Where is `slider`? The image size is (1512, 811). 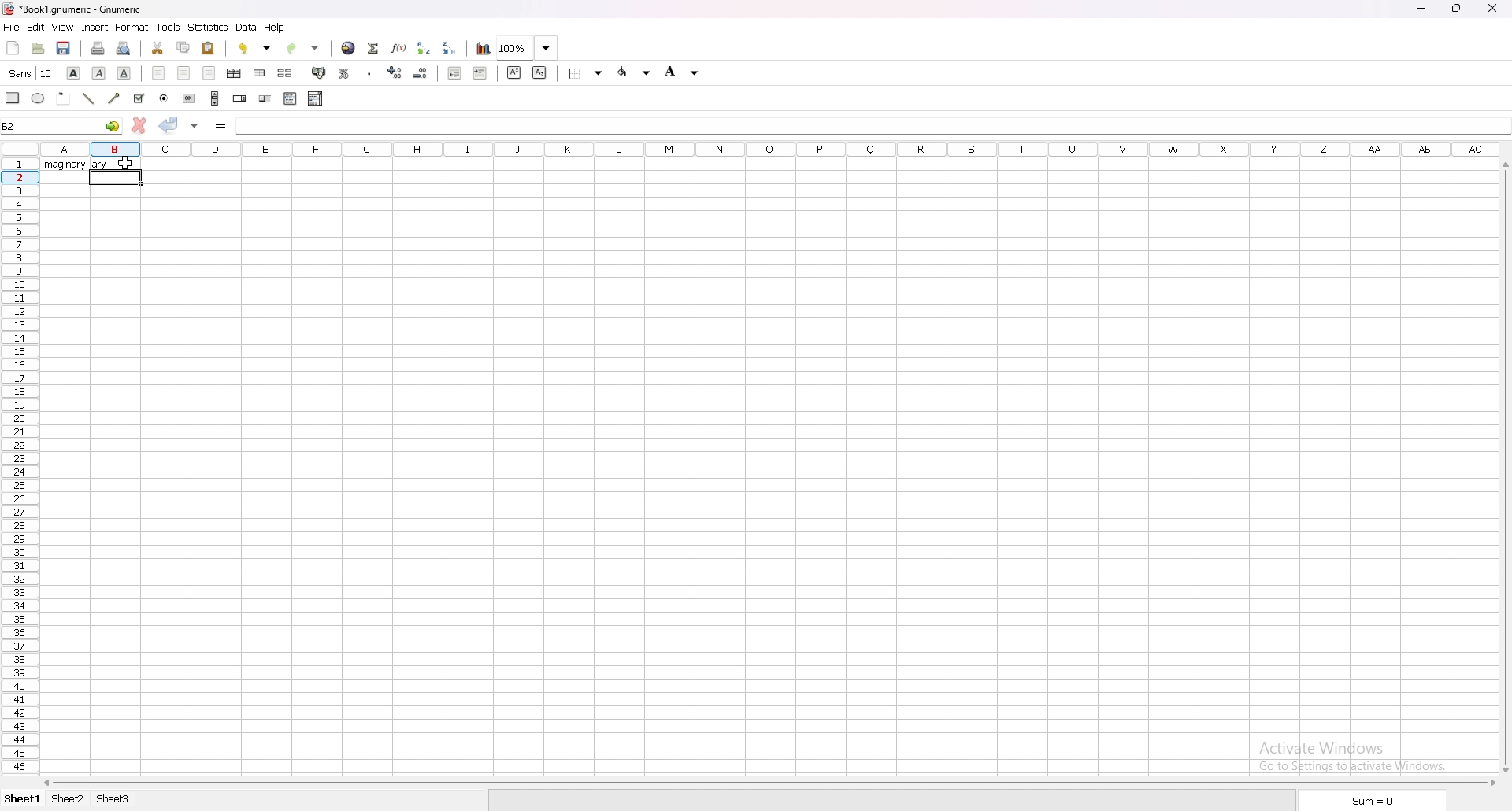 slider is located at coordinates (266, 98).